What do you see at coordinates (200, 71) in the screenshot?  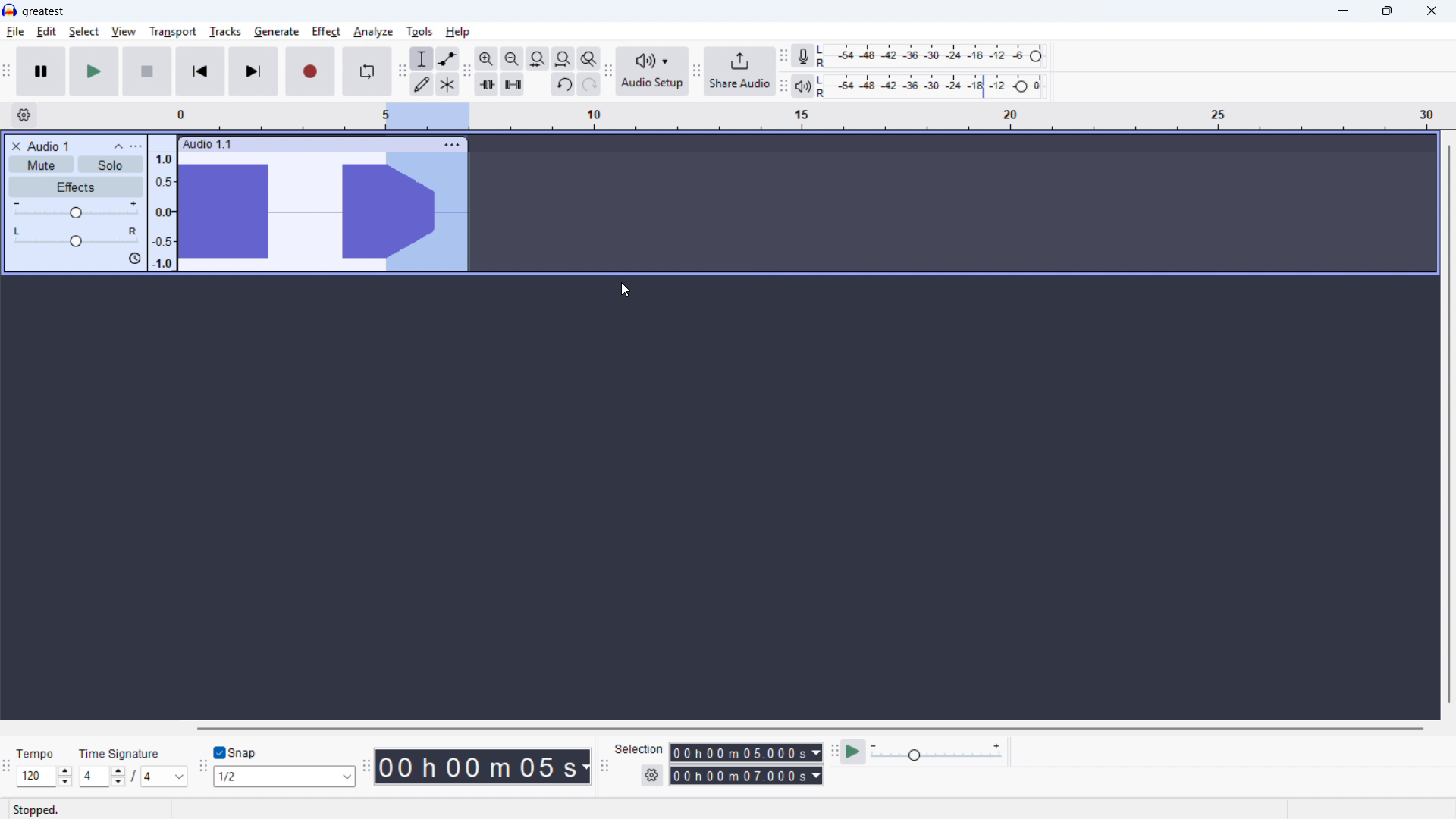 I see `Skip to start ` at bounding box center [200, 71].